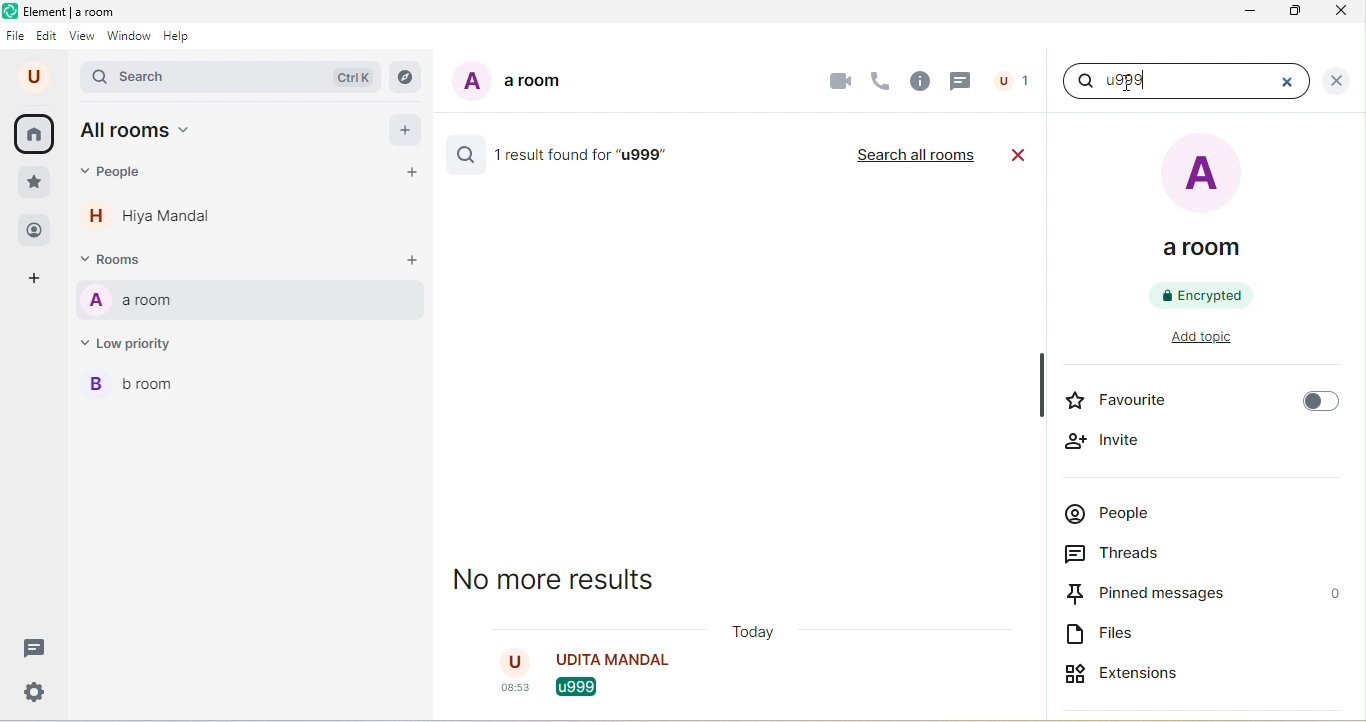 The height and width of the screenshot is (722, 1366). What do you see at coordinates (1013, 79) in the screenshot?
I see `people` at bounding box center [1013, 79].